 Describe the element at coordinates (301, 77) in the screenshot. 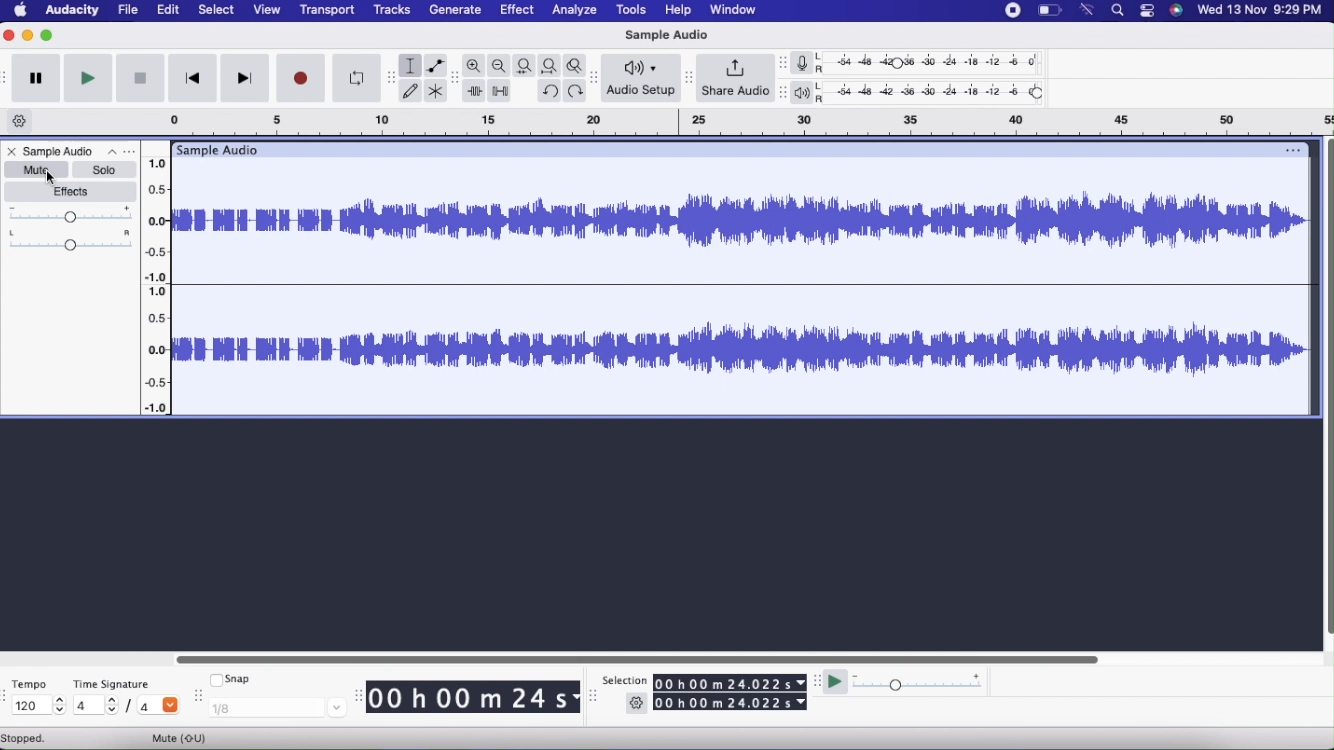

I see `Record` at that location.